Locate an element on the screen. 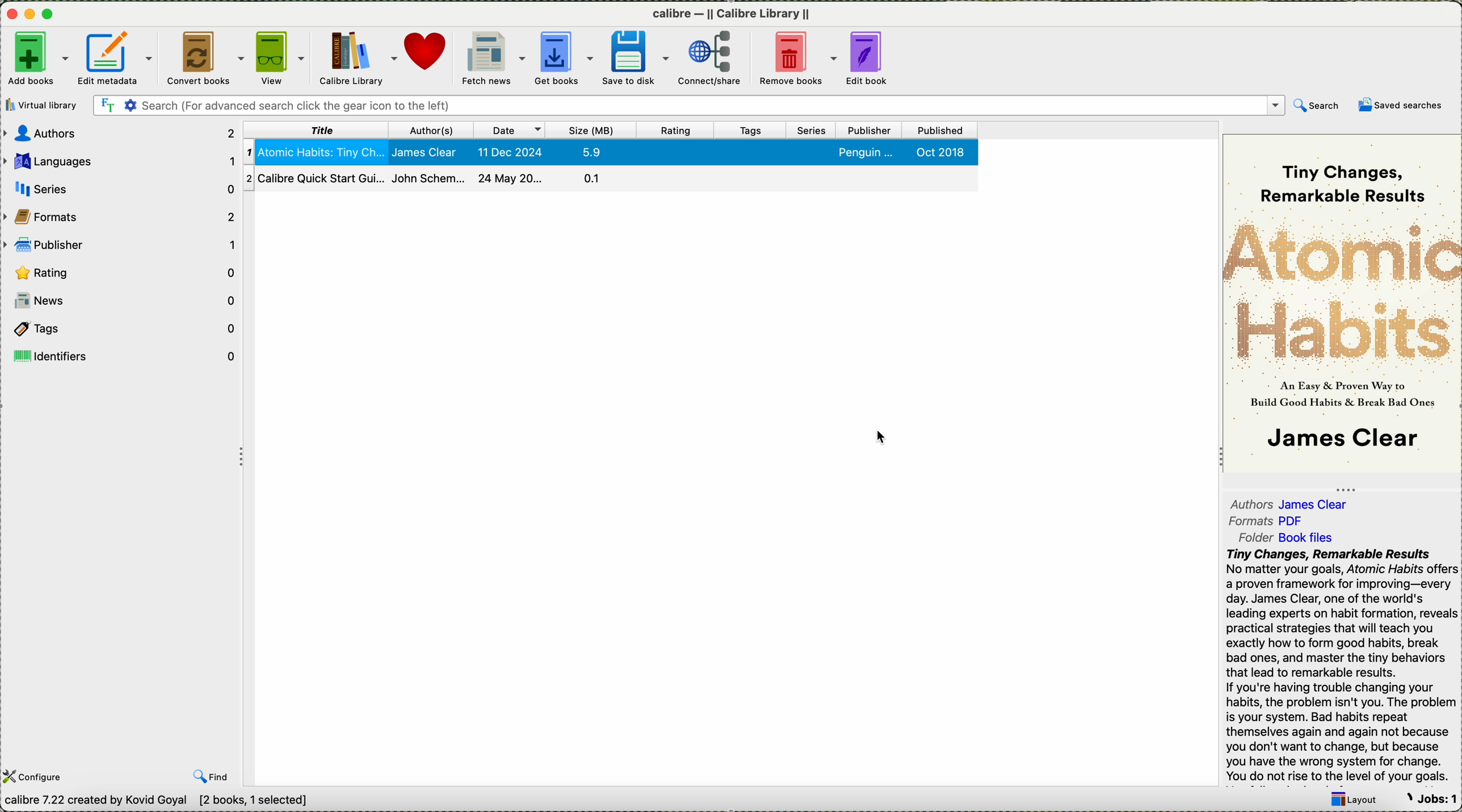  layout is located at coordinates (1376, 800).